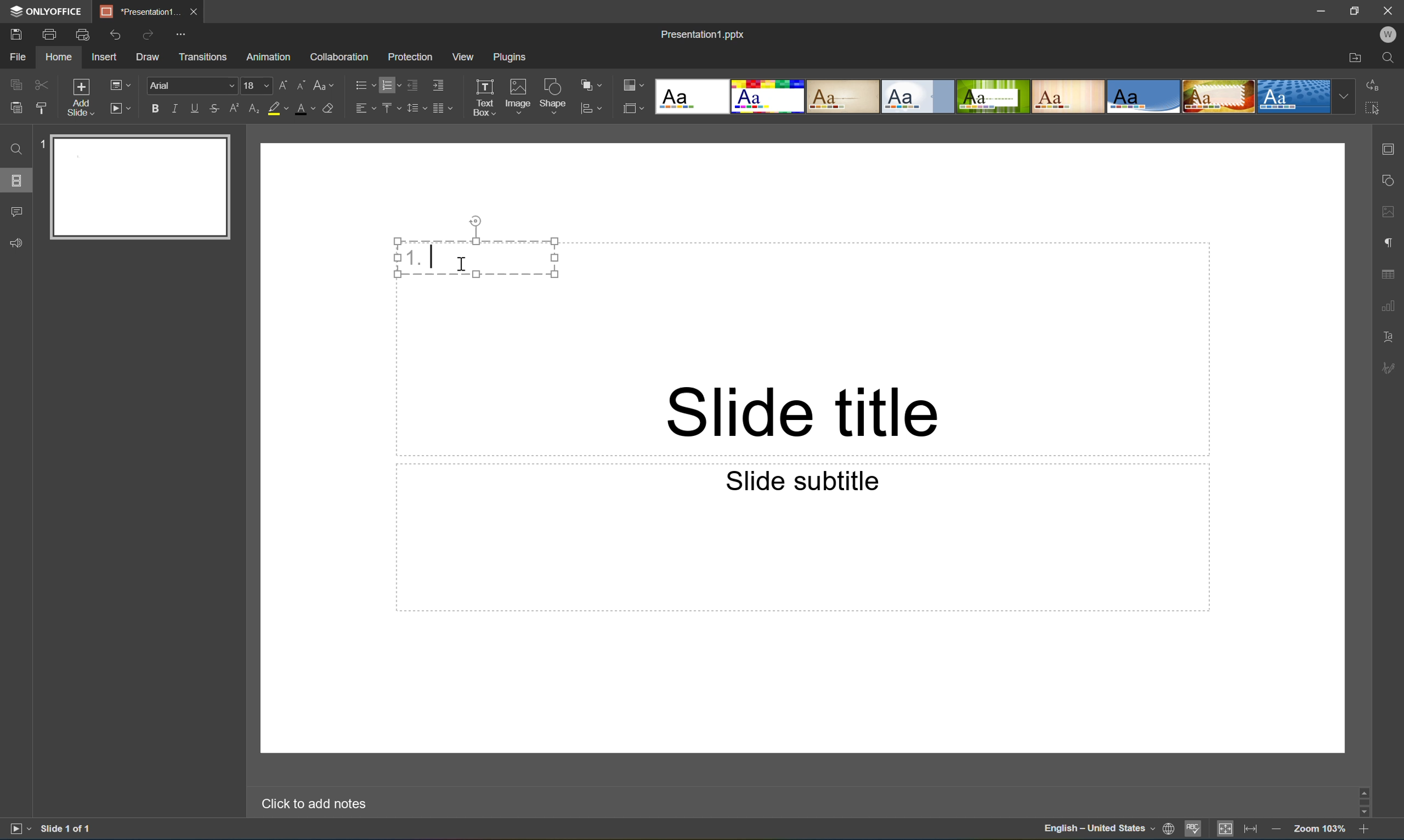 The height and width of the screenshot is (840, 1404). I want to click on Vertical align, so click(392, 106).